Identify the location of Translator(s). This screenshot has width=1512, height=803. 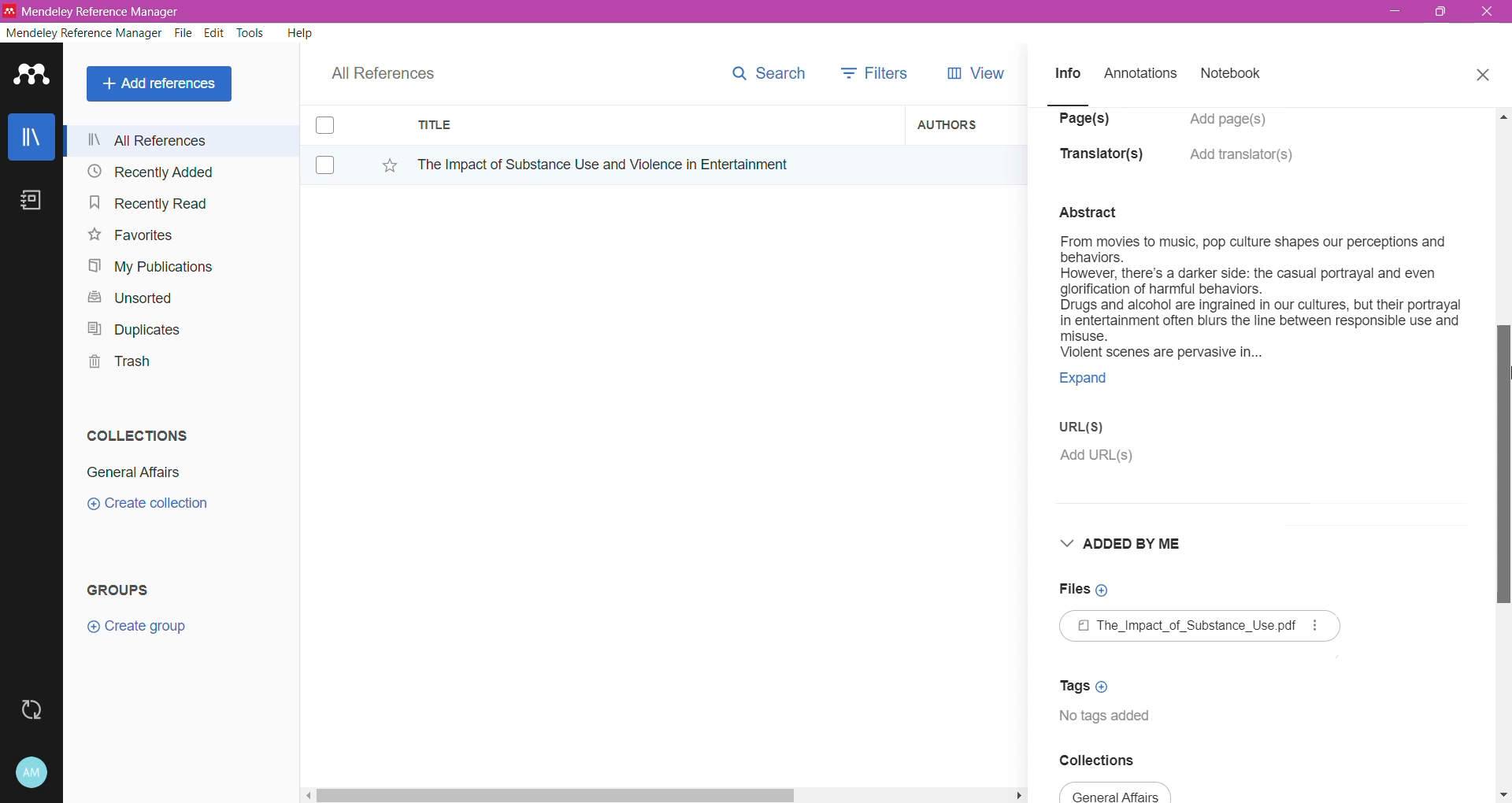
(1106, 155).